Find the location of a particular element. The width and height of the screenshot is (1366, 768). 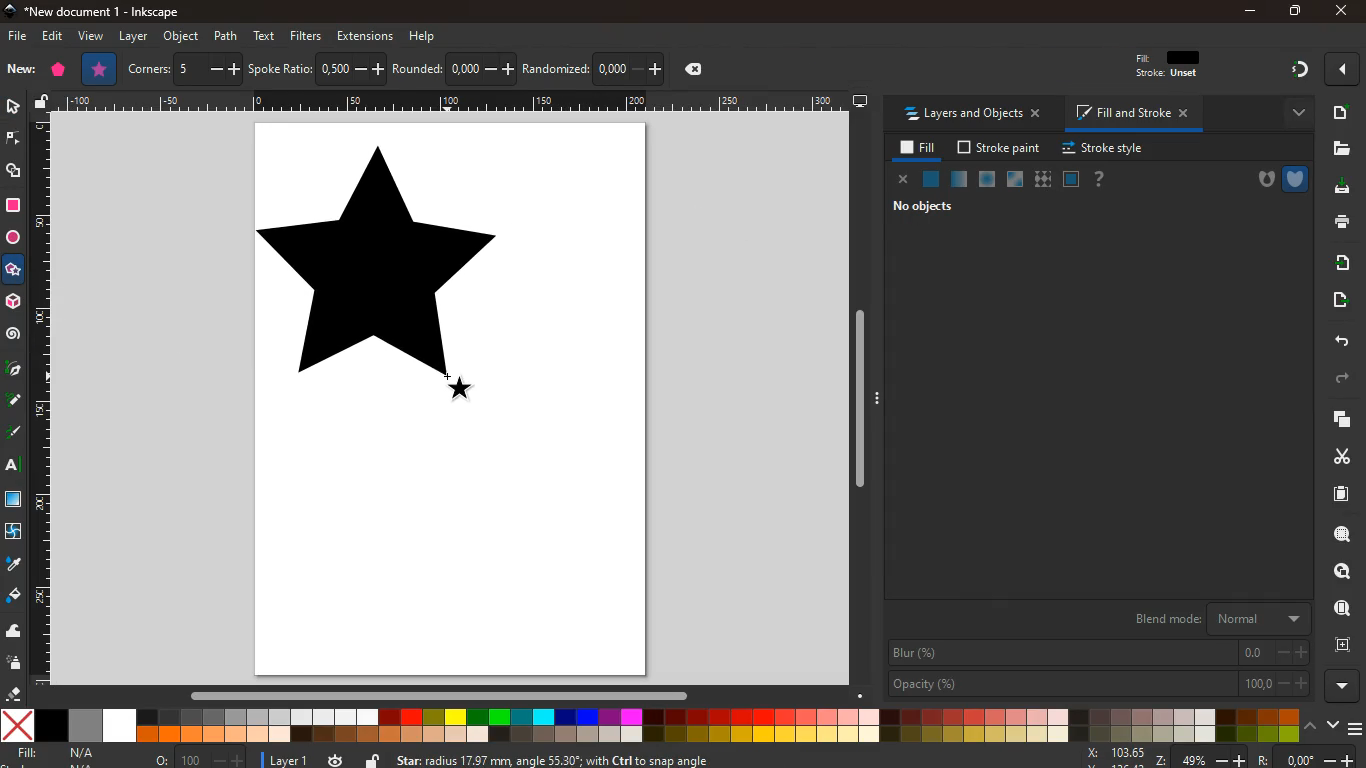

select is located at coordinates (15, 109).